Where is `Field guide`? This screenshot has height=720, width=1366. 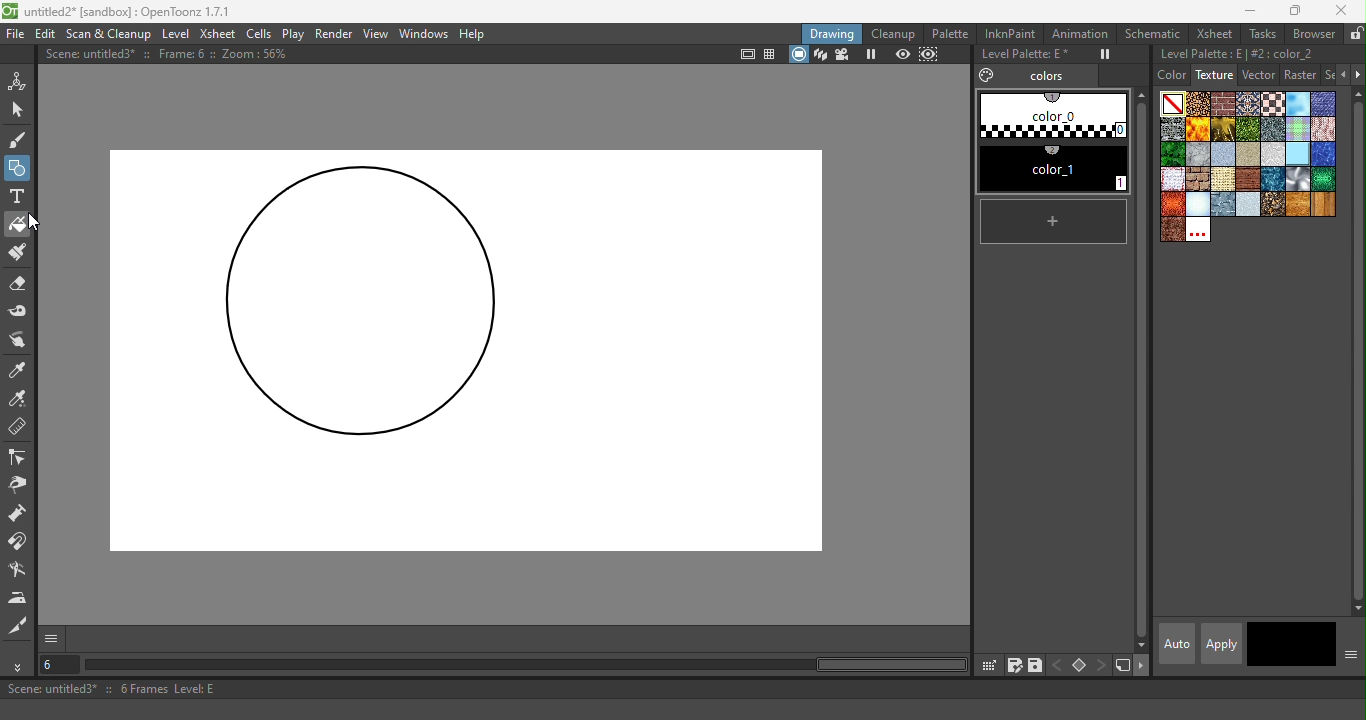
Field guide is located at coordinates (771, 55).